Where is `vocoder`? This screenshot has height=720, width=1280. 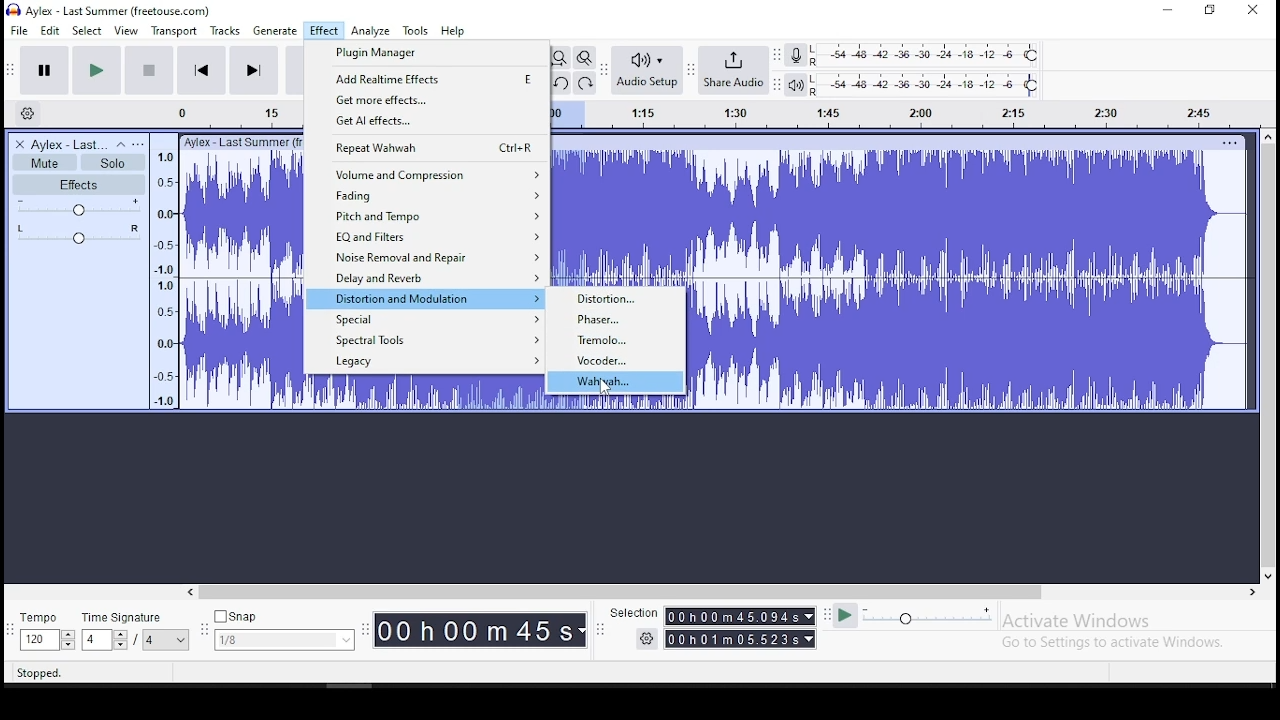 vocoder is located at coordinates (618, 361).